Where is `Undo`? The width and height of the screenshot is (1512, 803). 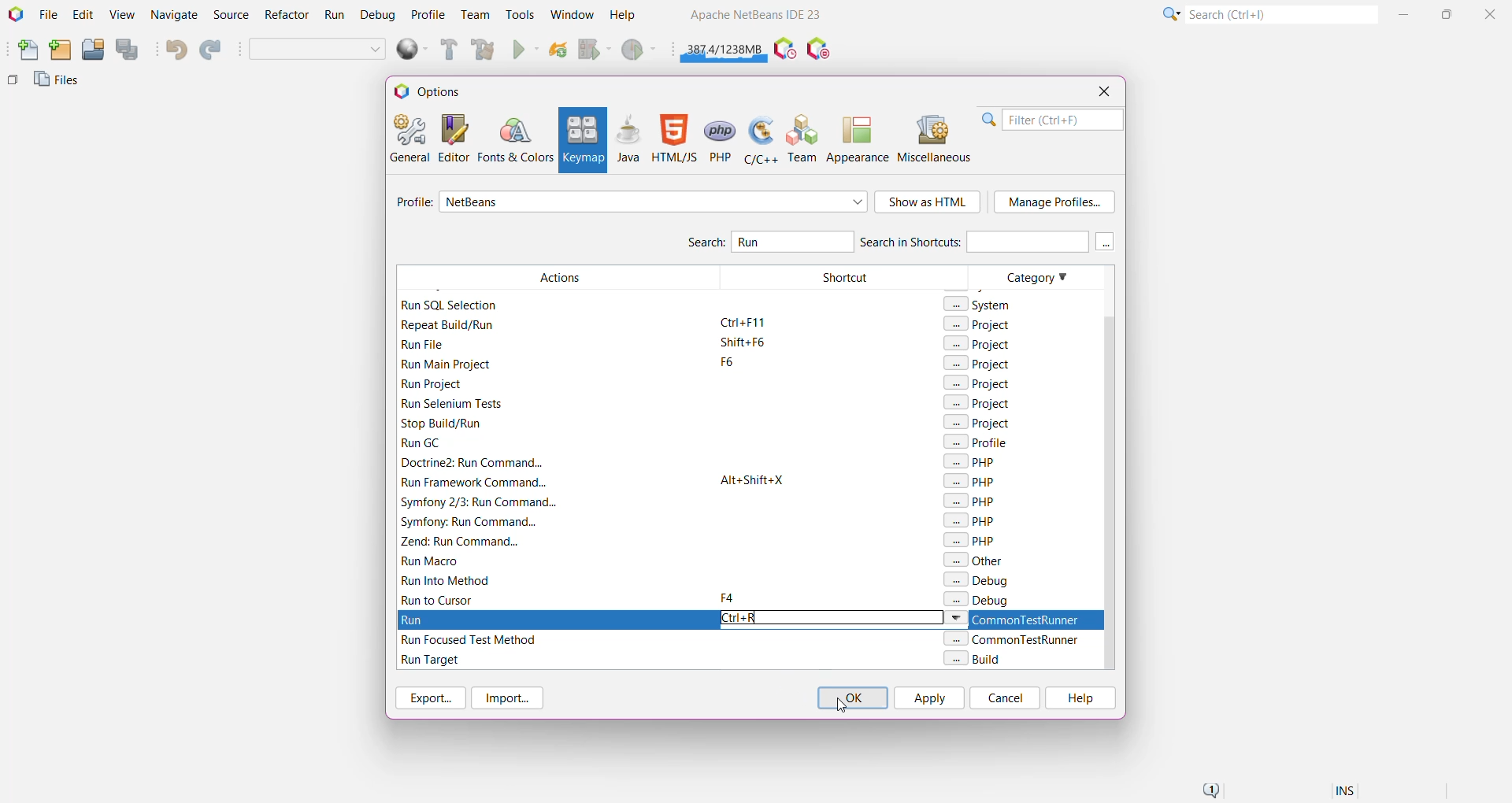
Undo is located at coordinates (175, 50).